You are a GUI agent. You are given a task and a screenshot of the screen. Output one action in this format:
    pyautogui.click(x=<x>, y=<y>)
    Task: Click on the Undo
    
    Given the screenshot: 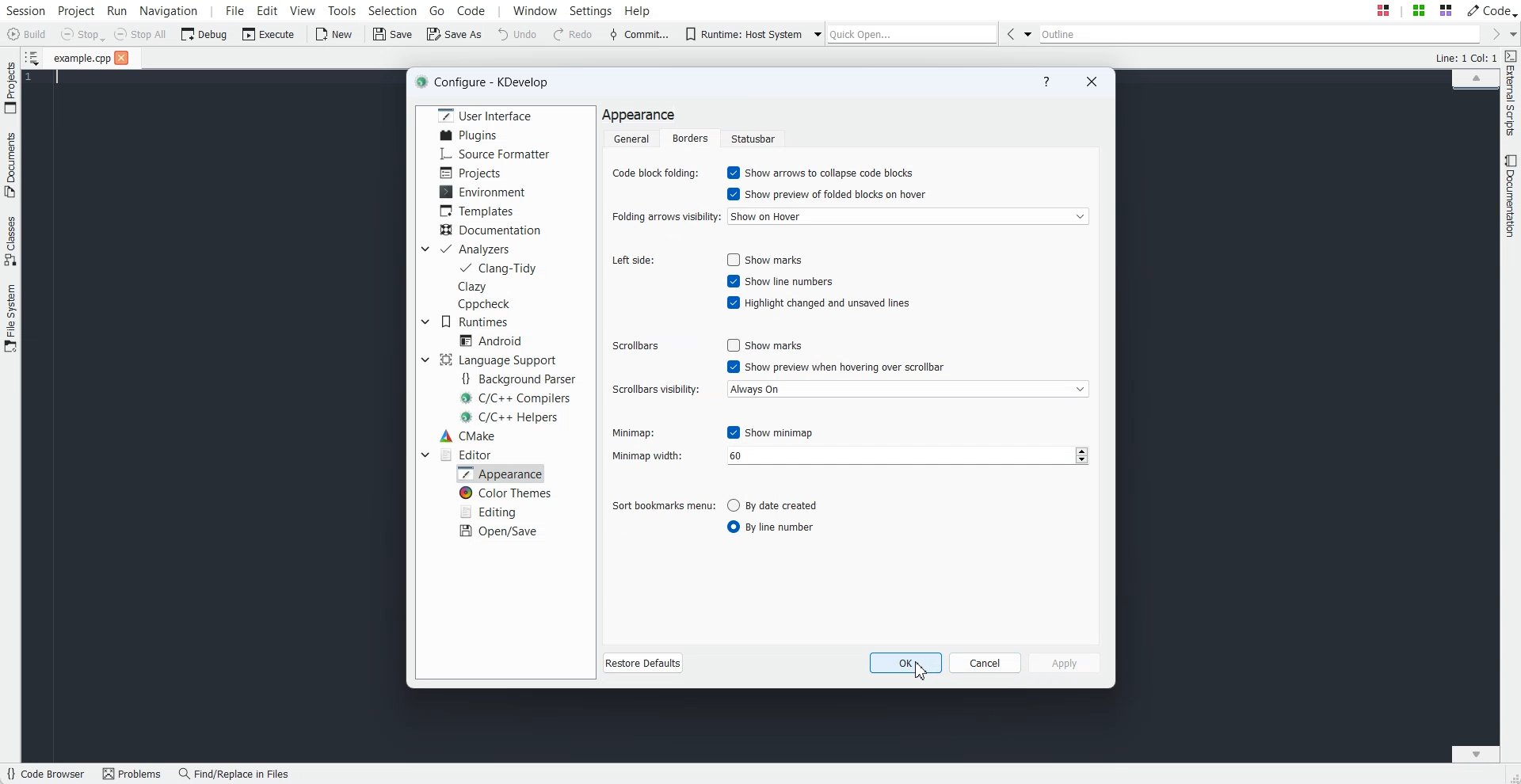 What is the action you would take?
    pyautogui.click(x=517, y=34)
    